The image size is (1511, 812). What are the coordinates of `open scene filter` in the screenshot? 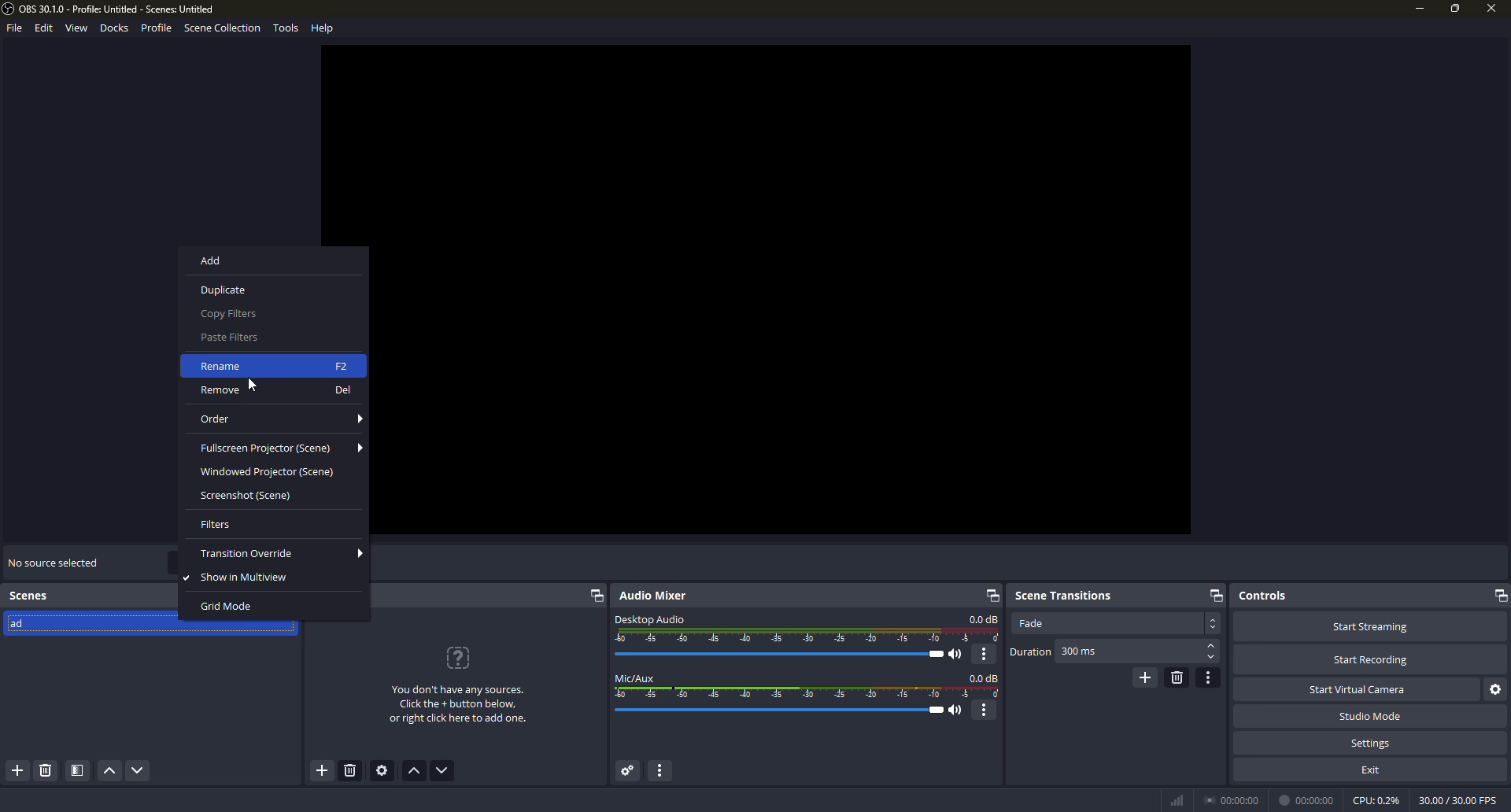 It's located at (76, 771).